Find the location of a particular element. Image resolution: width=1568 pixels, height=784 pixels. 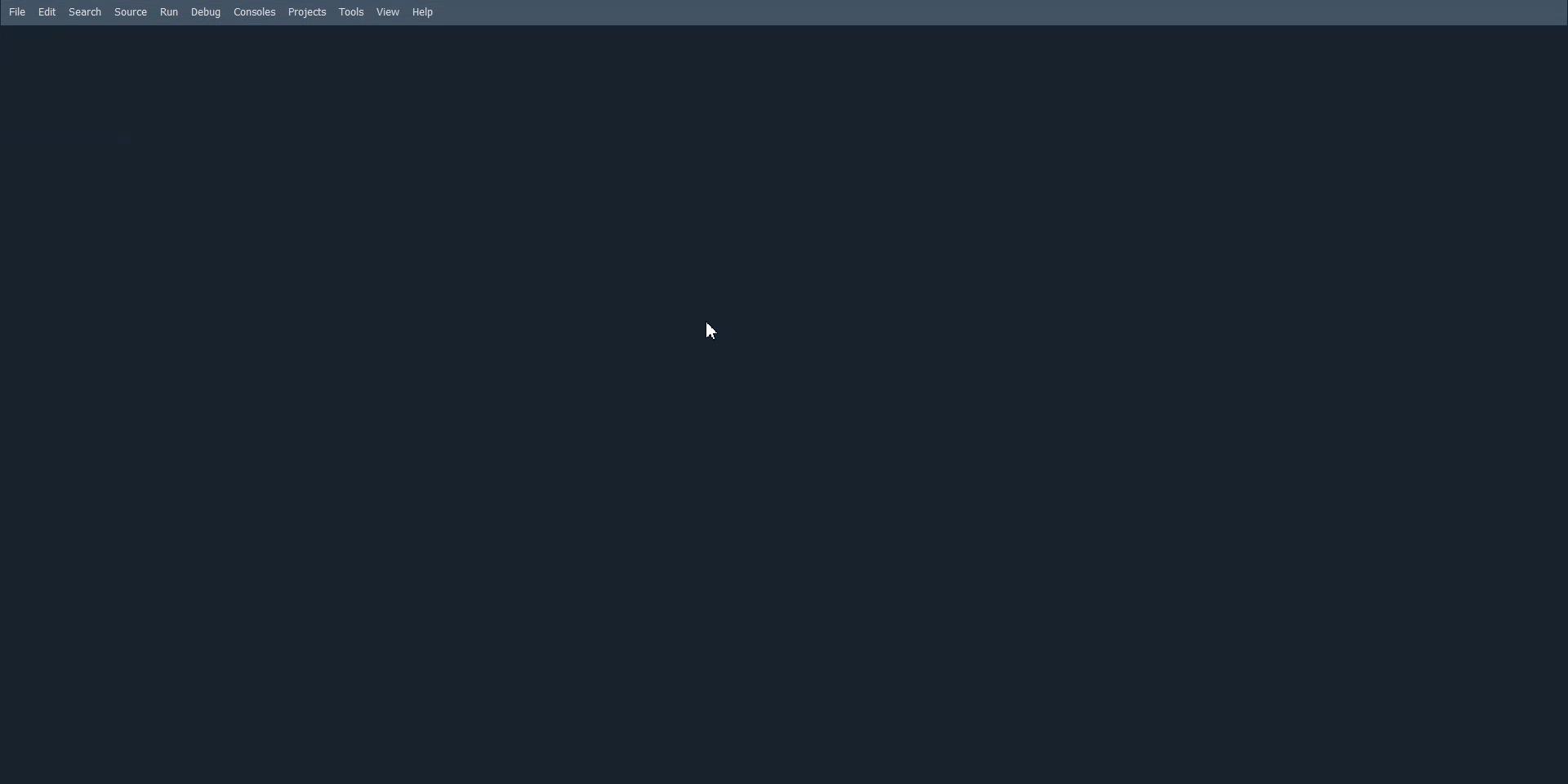

Projects is located at coordinates (308, 13).